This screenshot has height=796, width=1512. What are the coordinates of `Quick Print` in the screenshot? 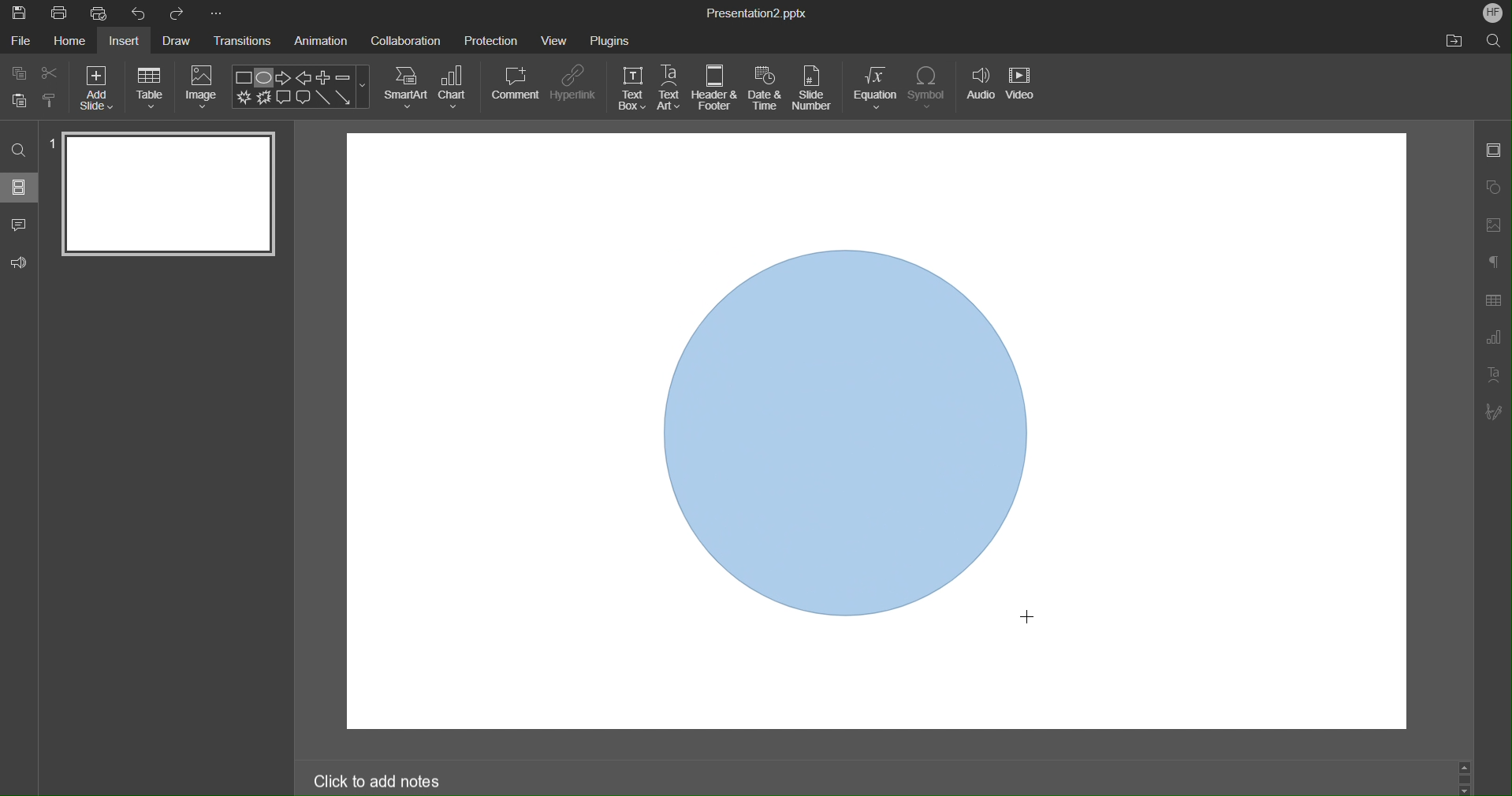 It's located at (103, 14).